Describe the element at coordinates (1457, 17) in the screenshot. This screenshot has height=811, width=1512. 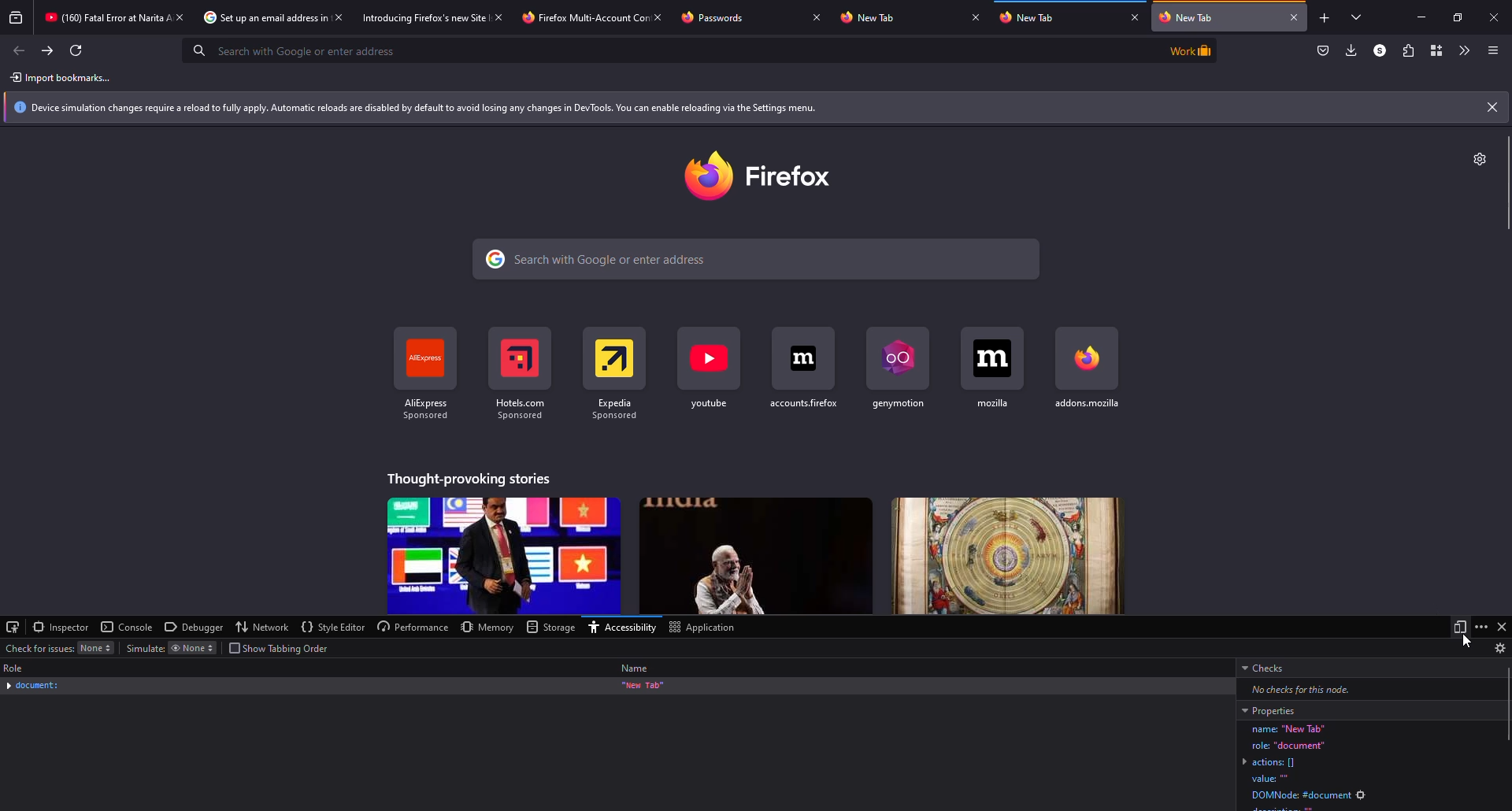
I see `maximize` at that location.